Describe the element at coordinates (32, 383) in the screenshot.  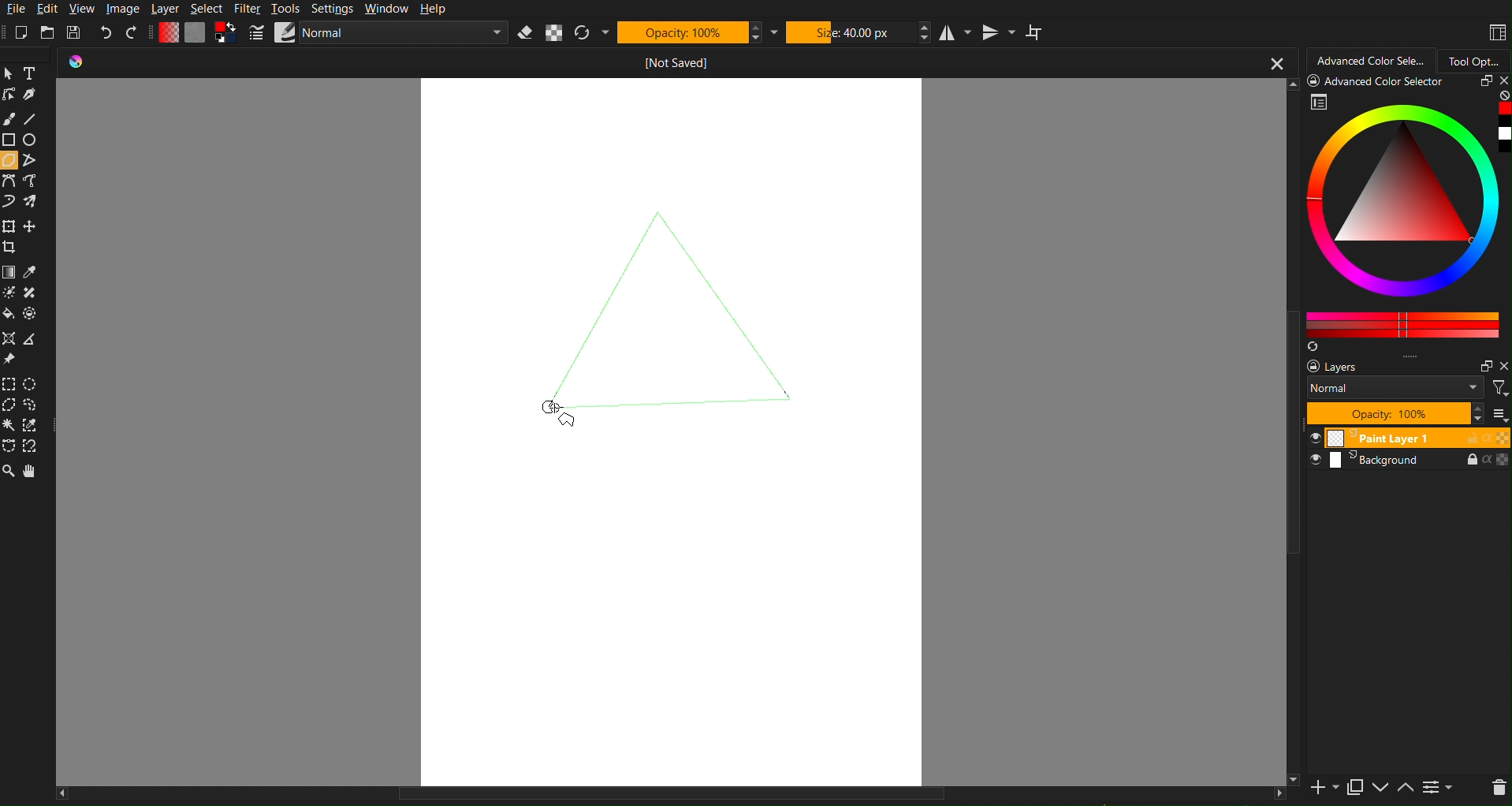
I see `elliptical Selection Tools` at that location.